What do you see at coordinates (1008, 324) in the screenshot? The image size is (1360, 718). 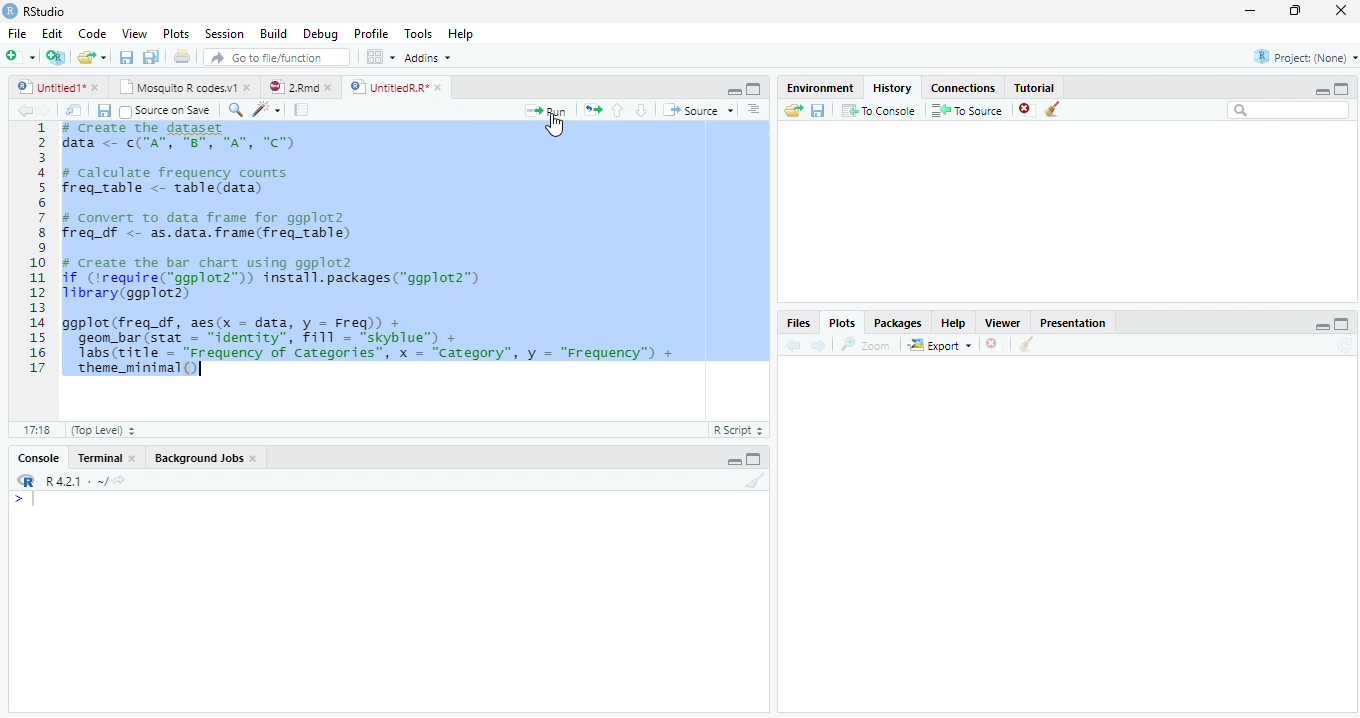 I see `Viewer` at bounding box center [1008, 324].